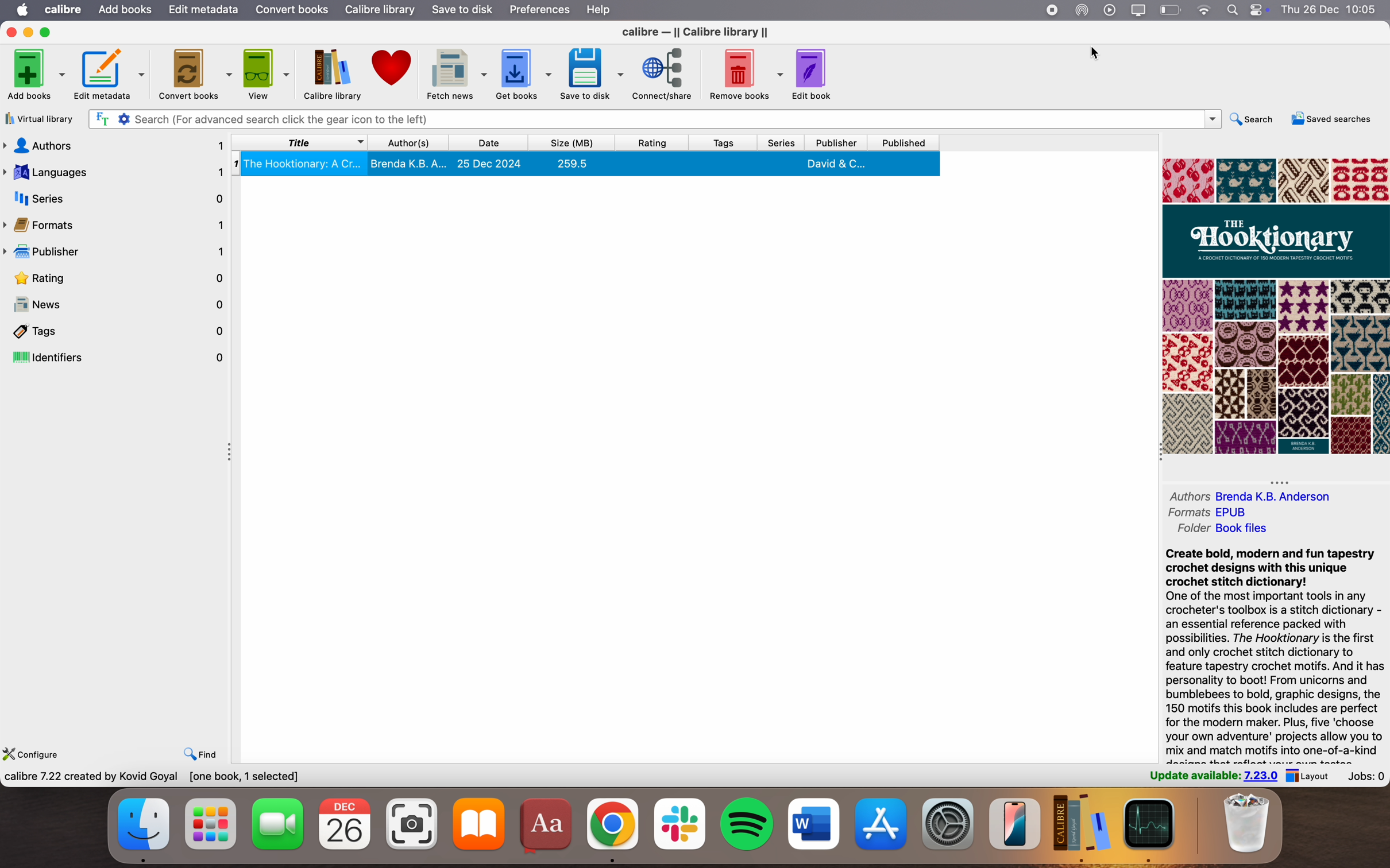 Image resolution: width=1390 pixels, height=868 pixels. What do you see at coordinates (1313, 777) in the screenshot?
I see `layout` at bounding box center [1313, 777].